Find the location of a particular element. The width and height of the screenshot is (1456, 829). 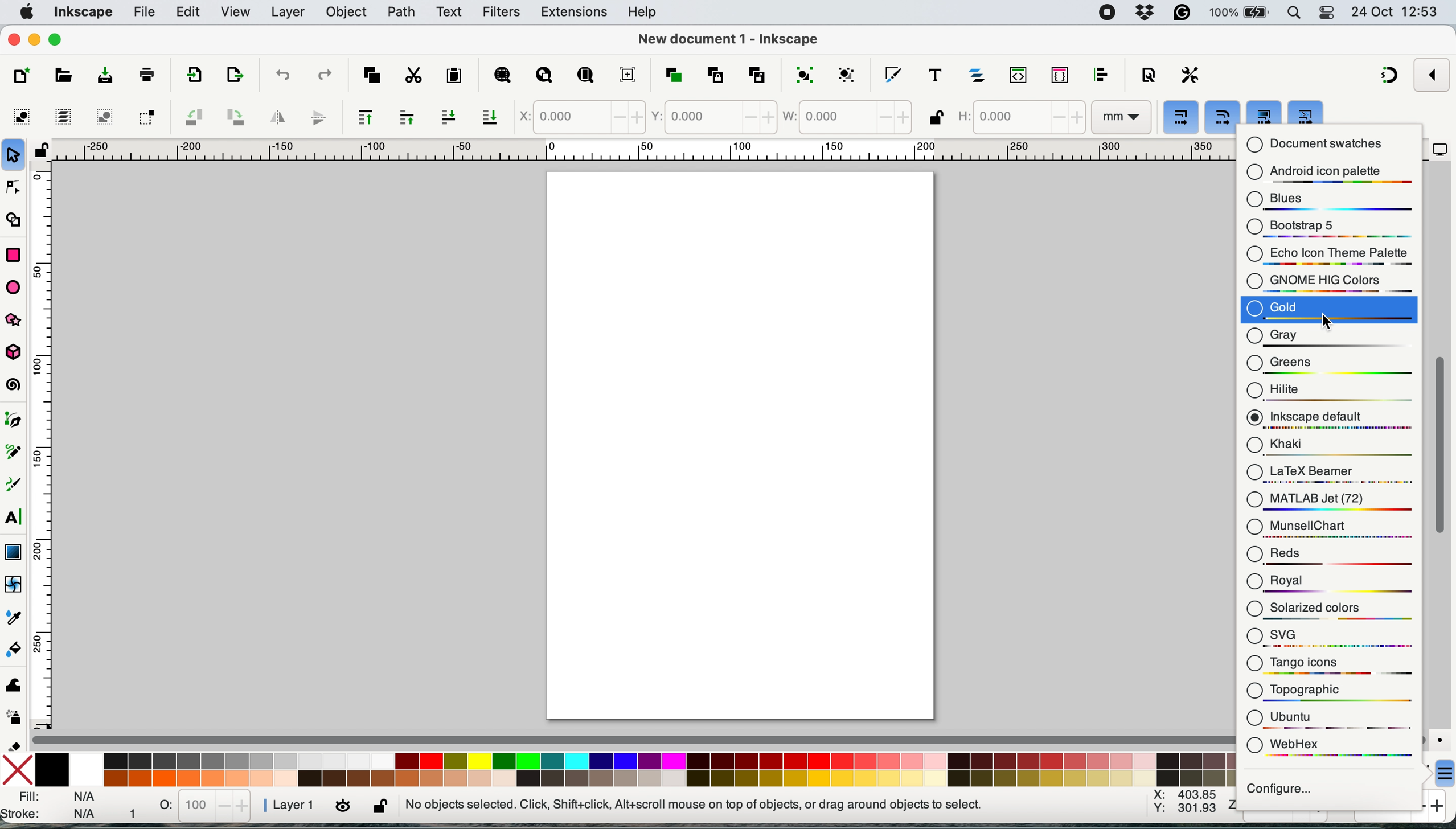

echo icon theme palaette is located at coordinates (1328, 253).